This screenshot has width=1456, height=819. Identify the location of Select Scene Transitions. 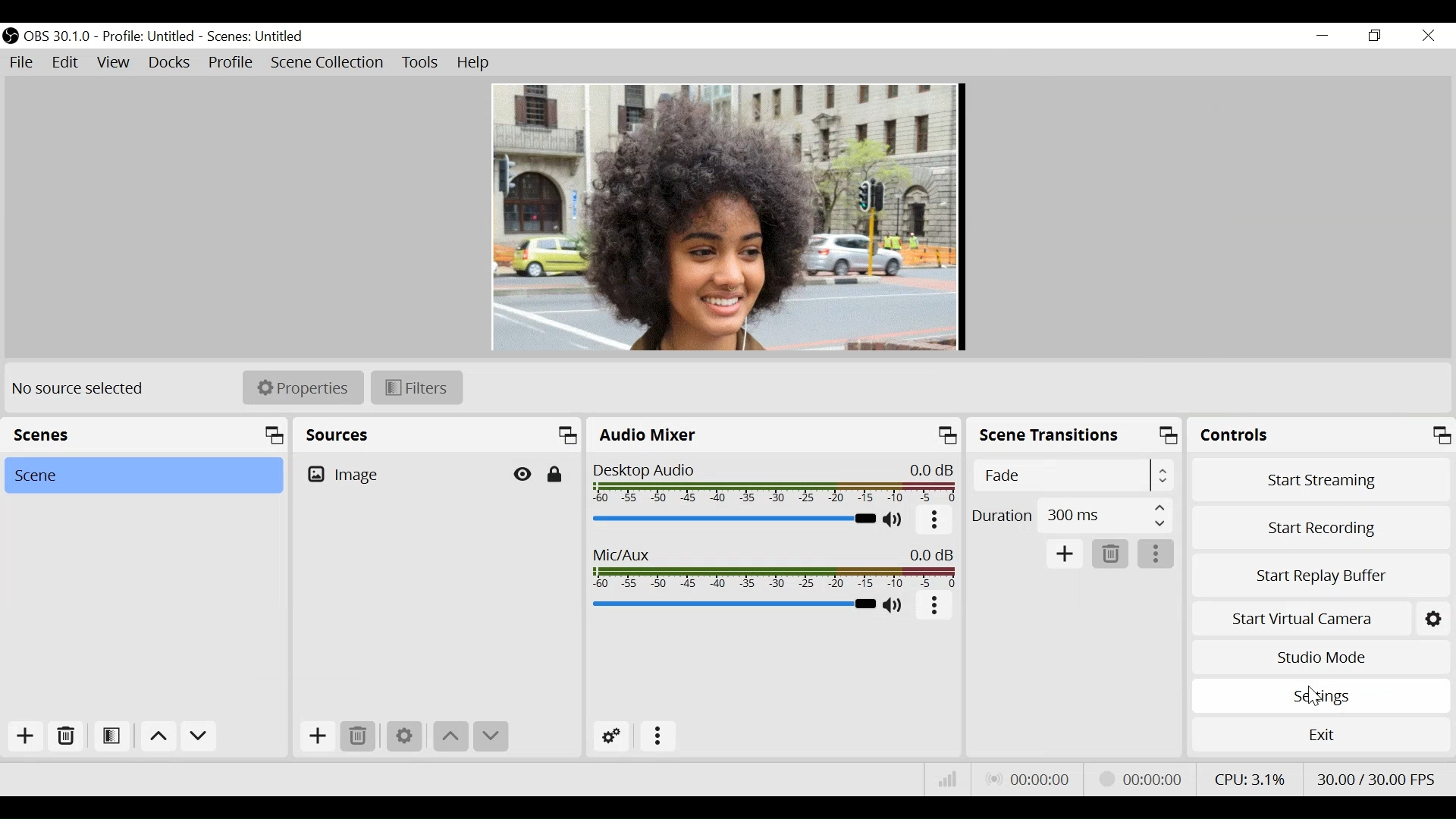
(1073, 475).